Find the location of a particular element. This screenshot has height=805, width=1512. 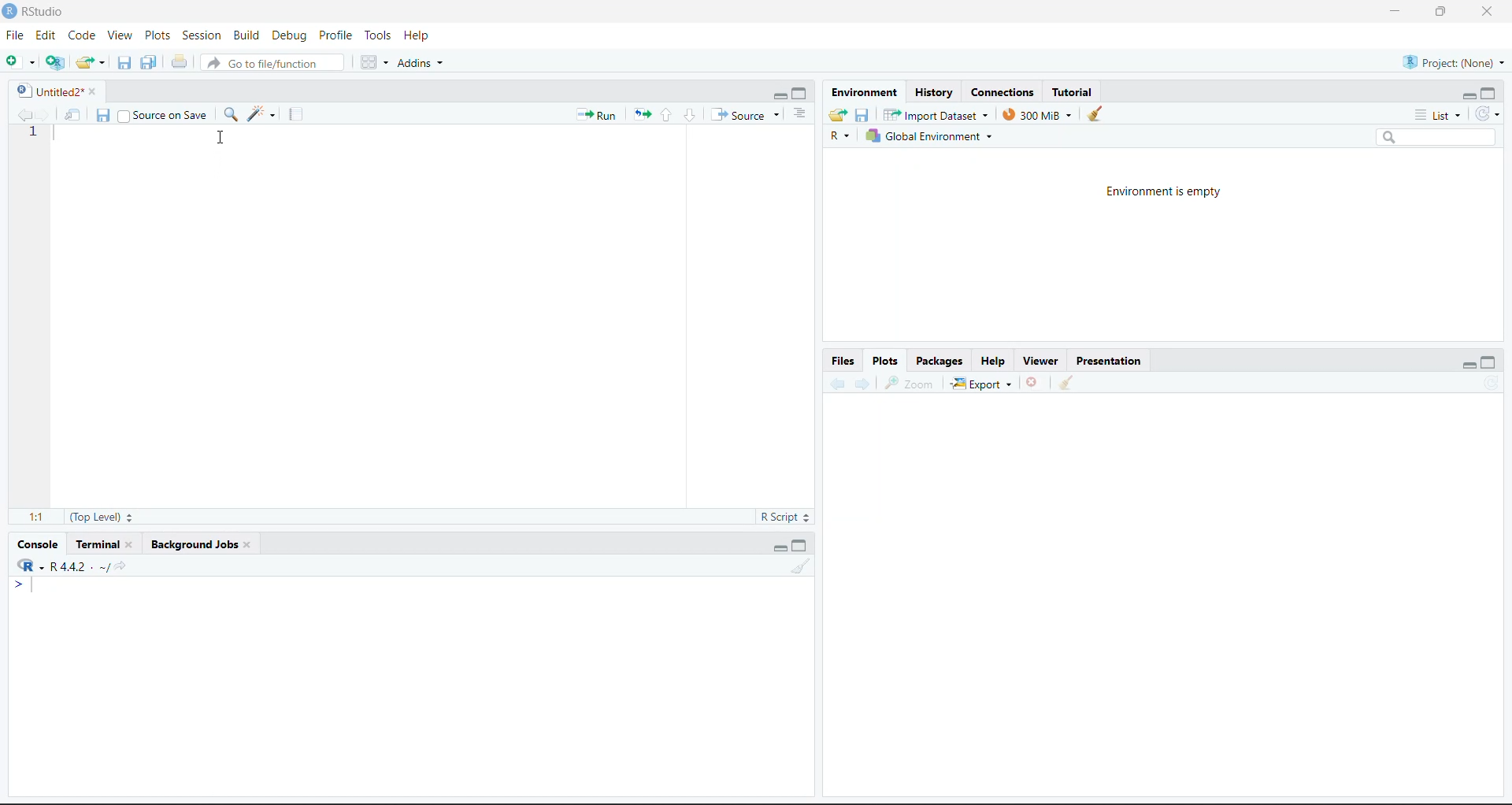

Environment is empty is located at coordinates (1156, 191).